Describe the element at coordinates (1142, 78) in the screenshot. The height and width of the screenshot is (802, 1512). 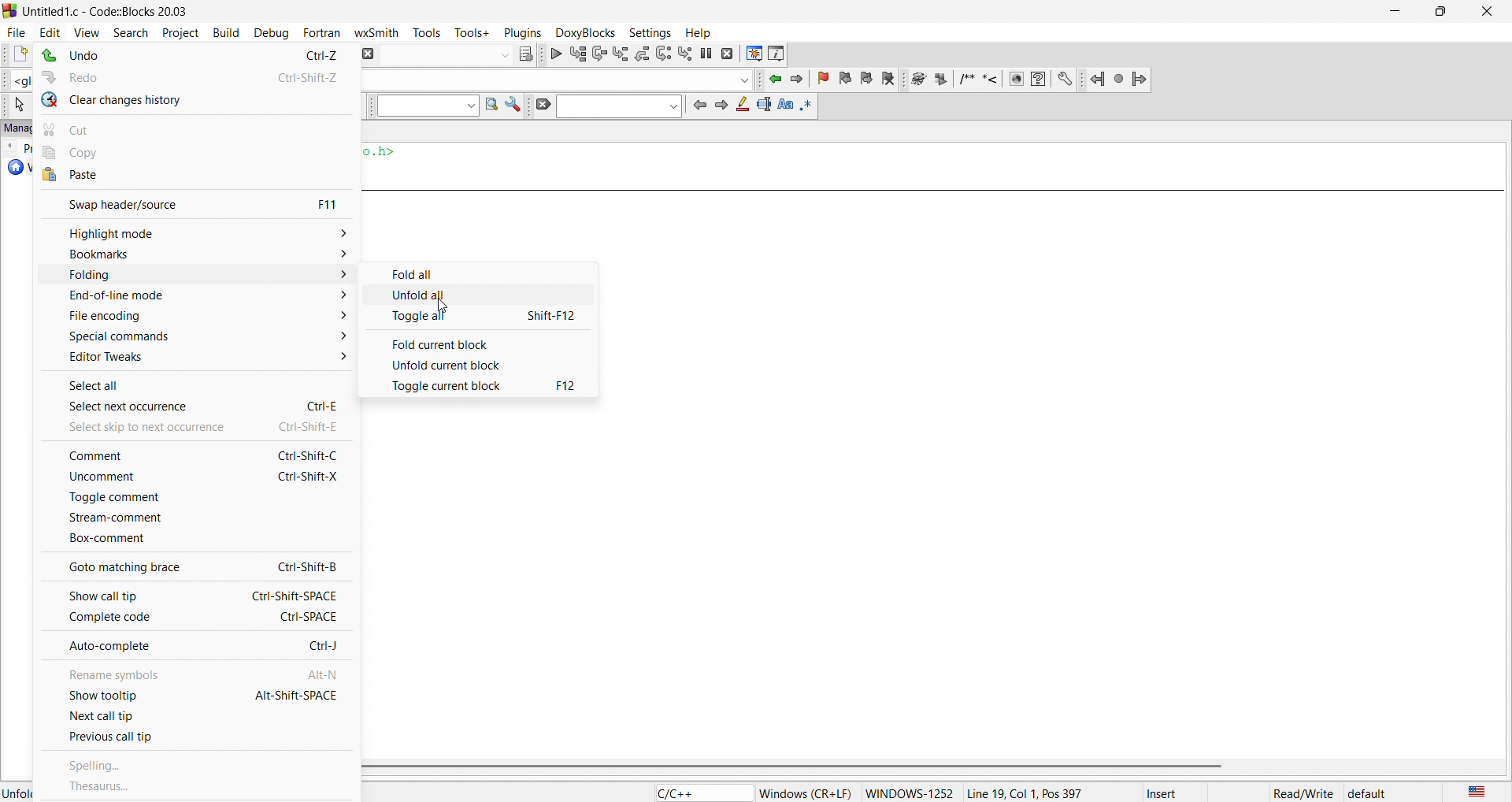
I see `jump forward` at that location.